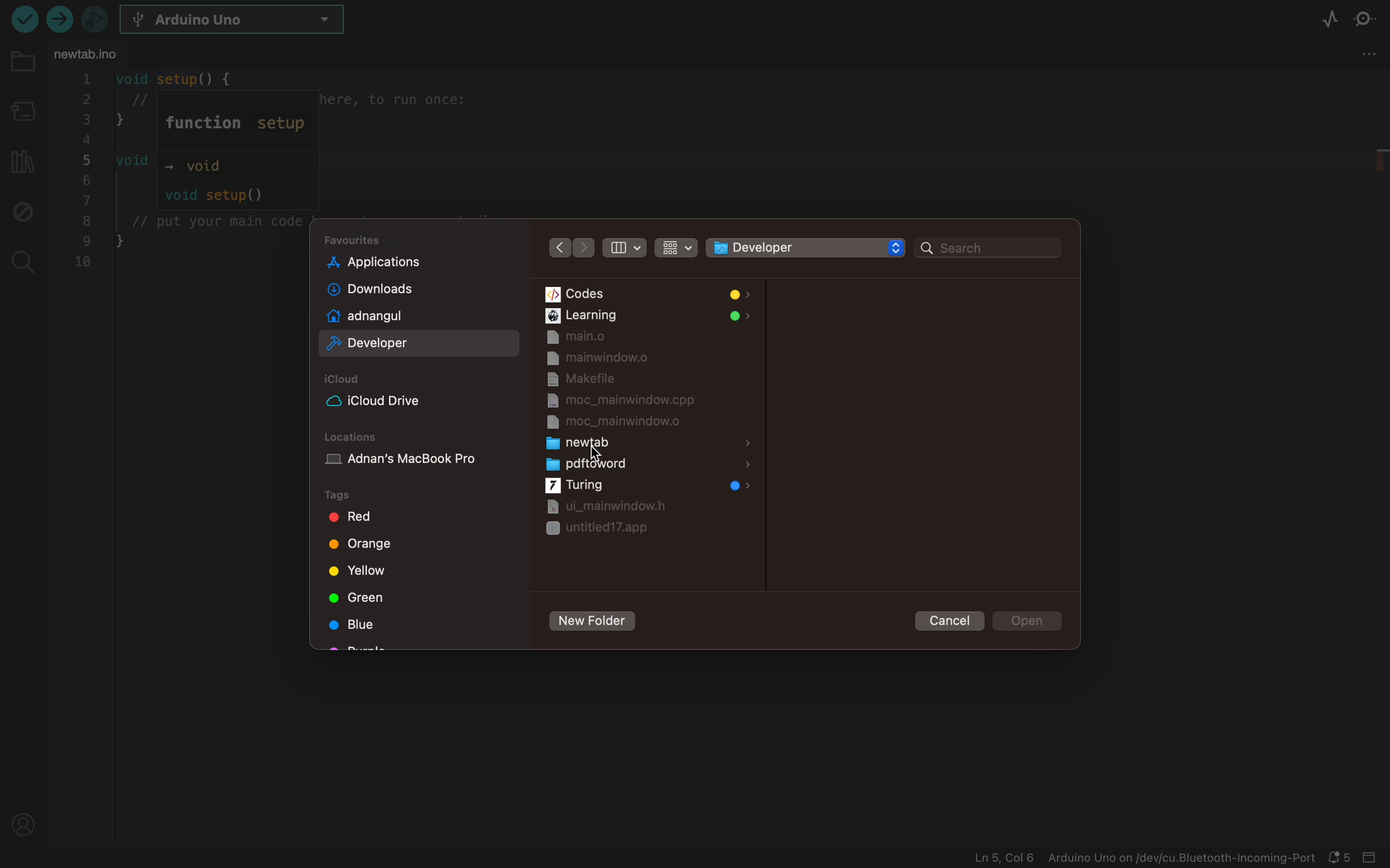 The image size is (1390, 868). I want to click on search, so click(21, 259).